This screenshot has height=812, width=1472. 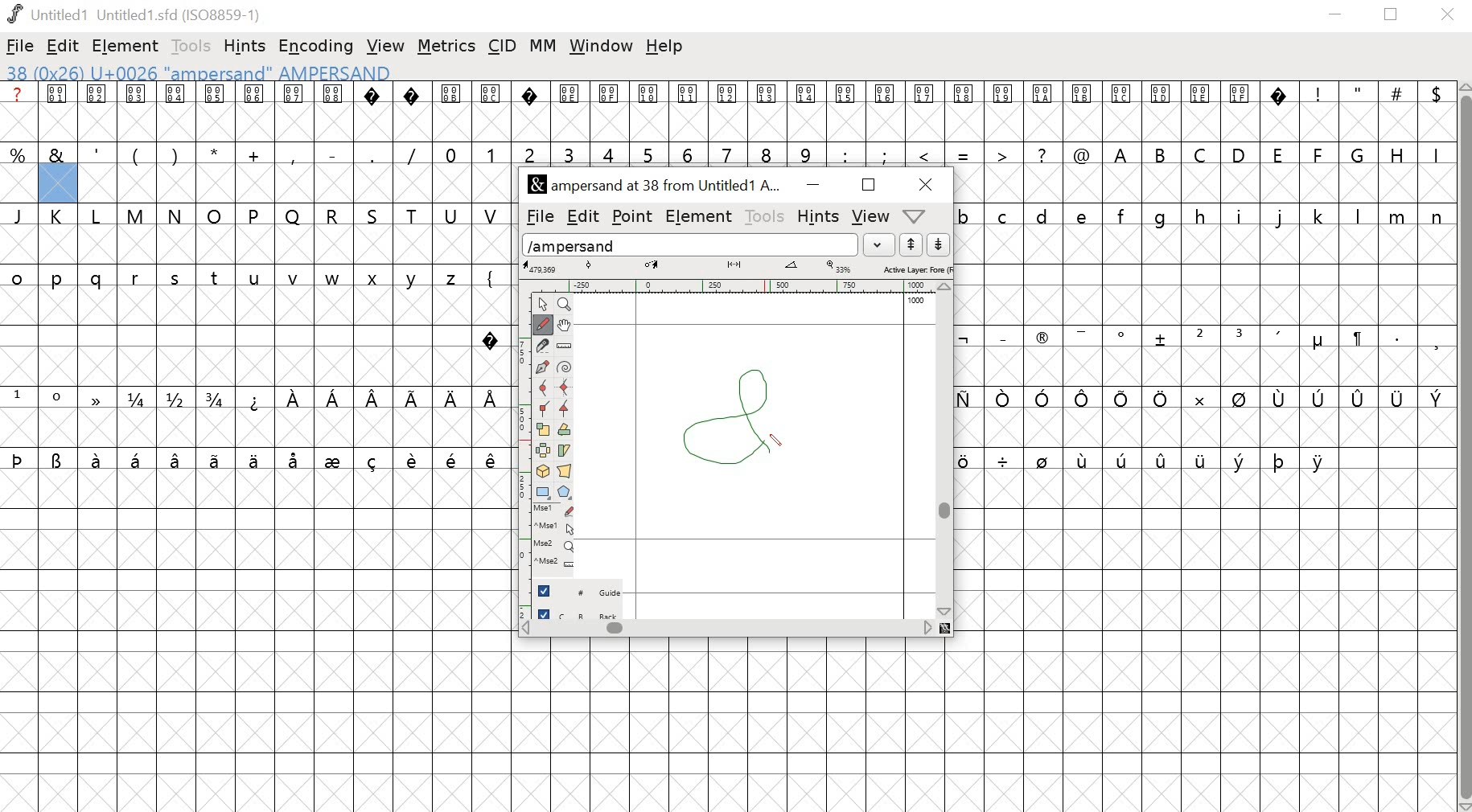 I want to click on 5, so click(x=648, y=154).